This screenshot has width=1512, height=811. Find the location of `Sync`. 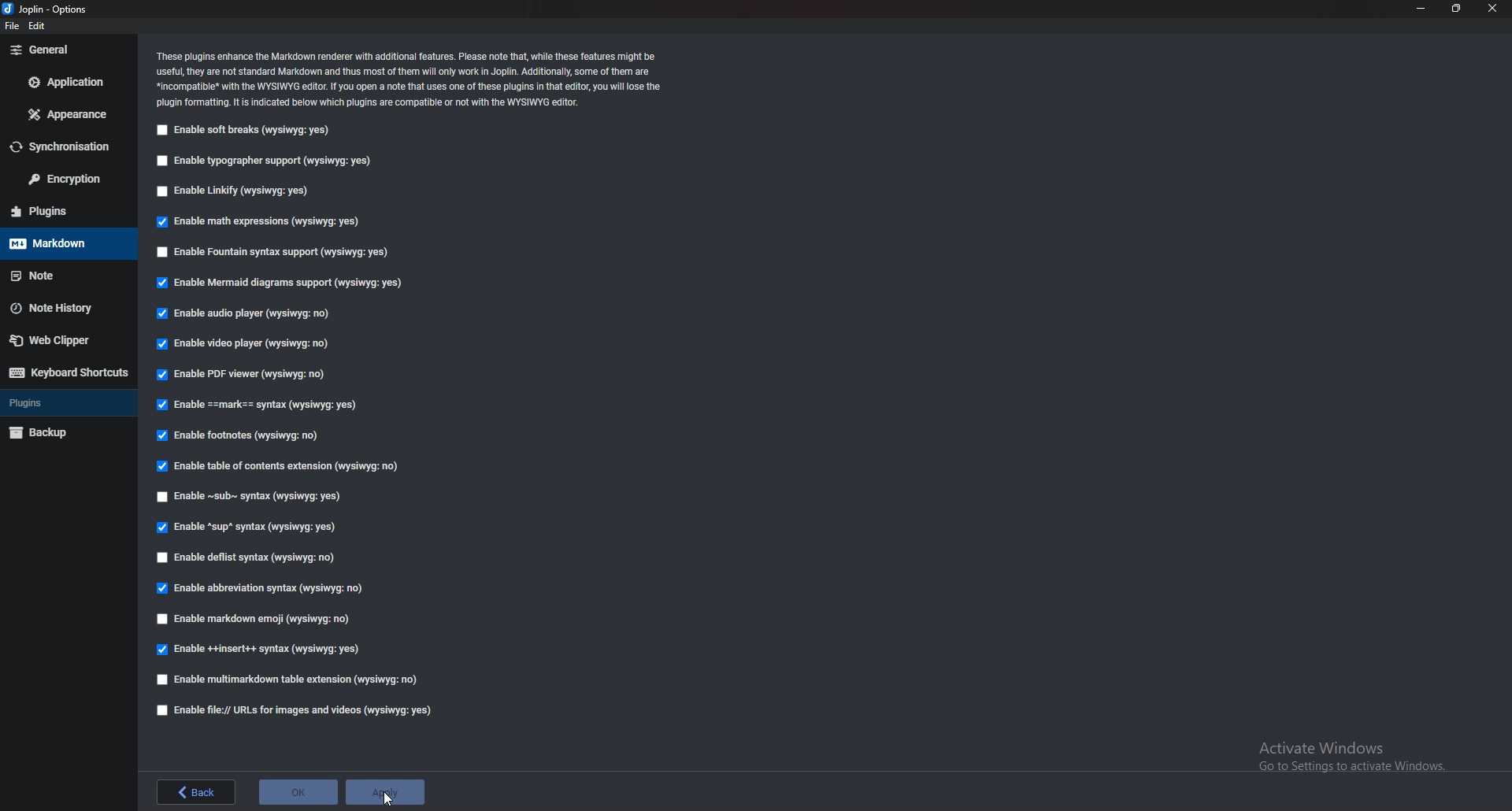

Sync is located at coordinates (64, 146).